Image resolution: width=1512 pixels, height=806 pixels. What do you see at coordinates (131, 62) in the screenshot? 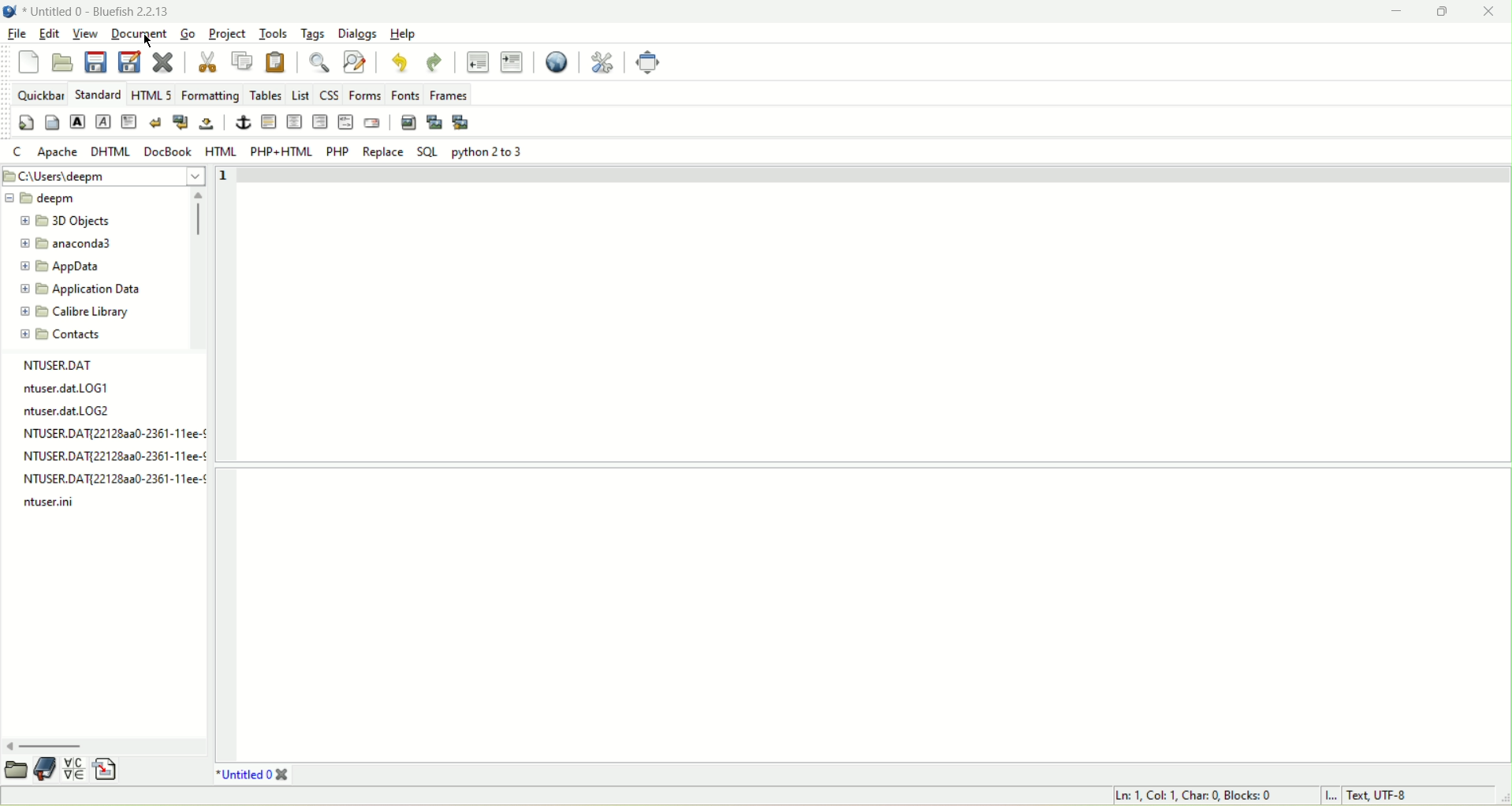
I see `save as` at bounding box center [131, 62].